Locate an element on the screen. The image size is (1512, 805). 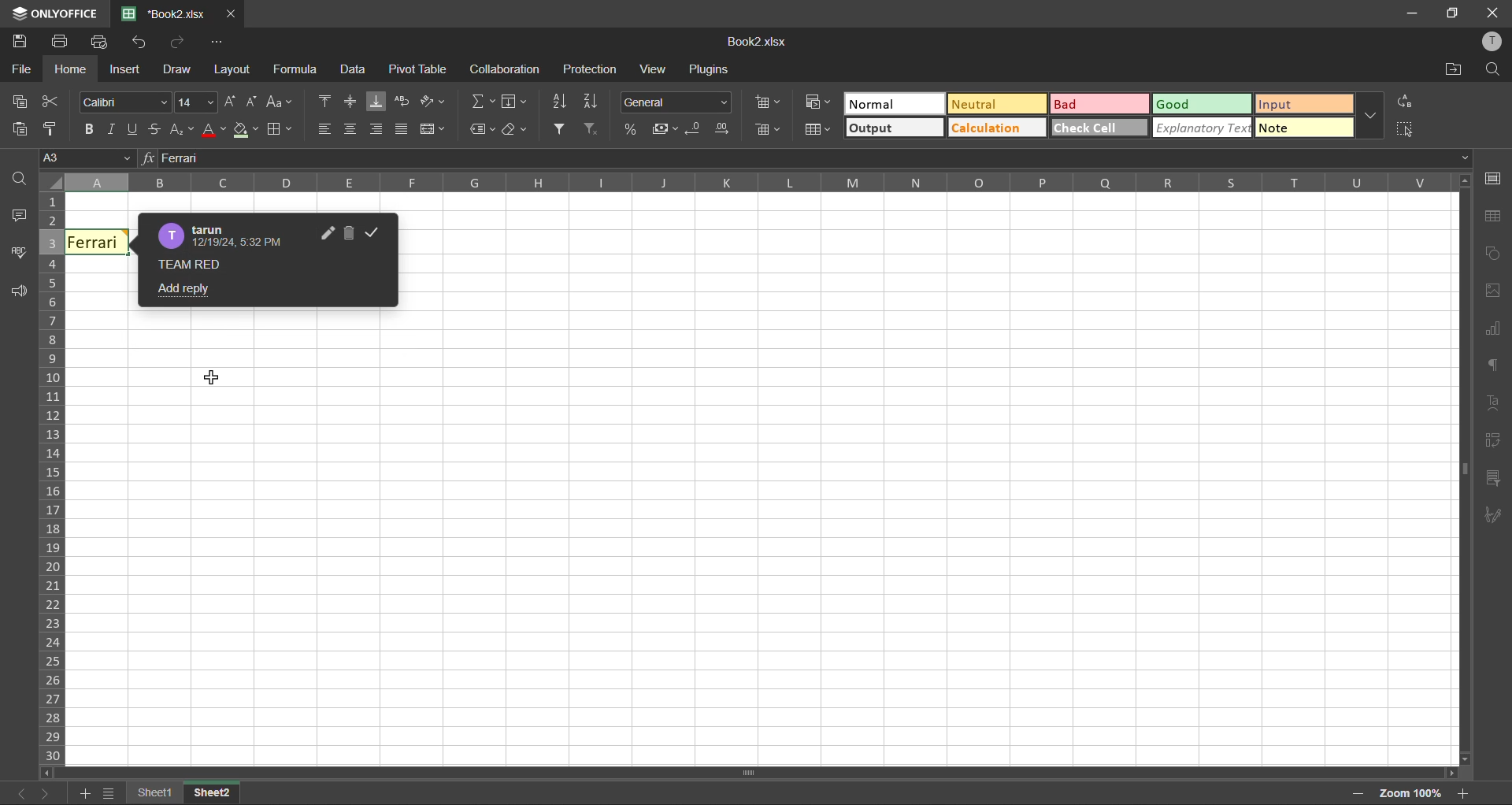
next is located at coordinates (46, 796).